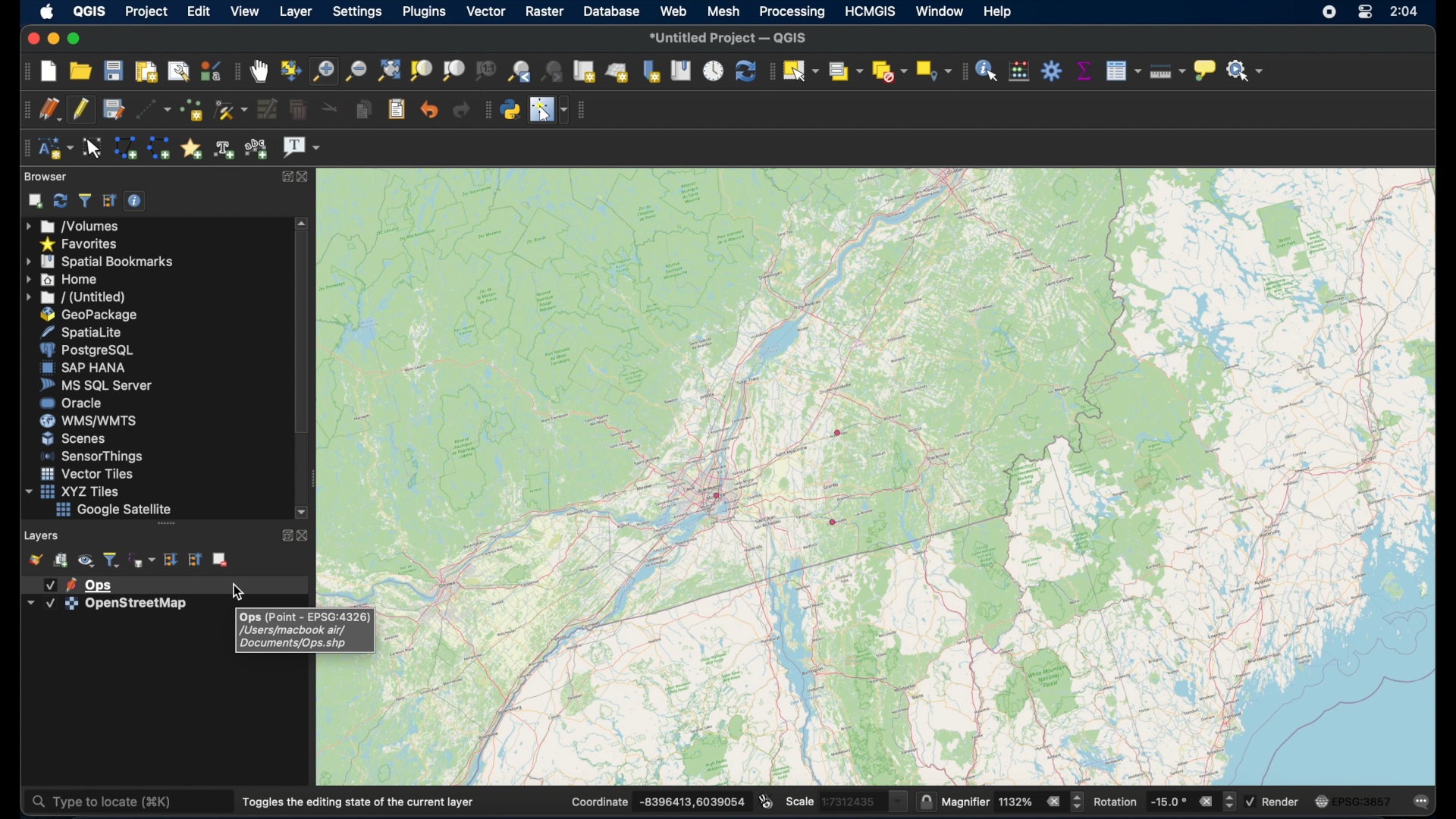  I want to click on expand, so click(285, 537).